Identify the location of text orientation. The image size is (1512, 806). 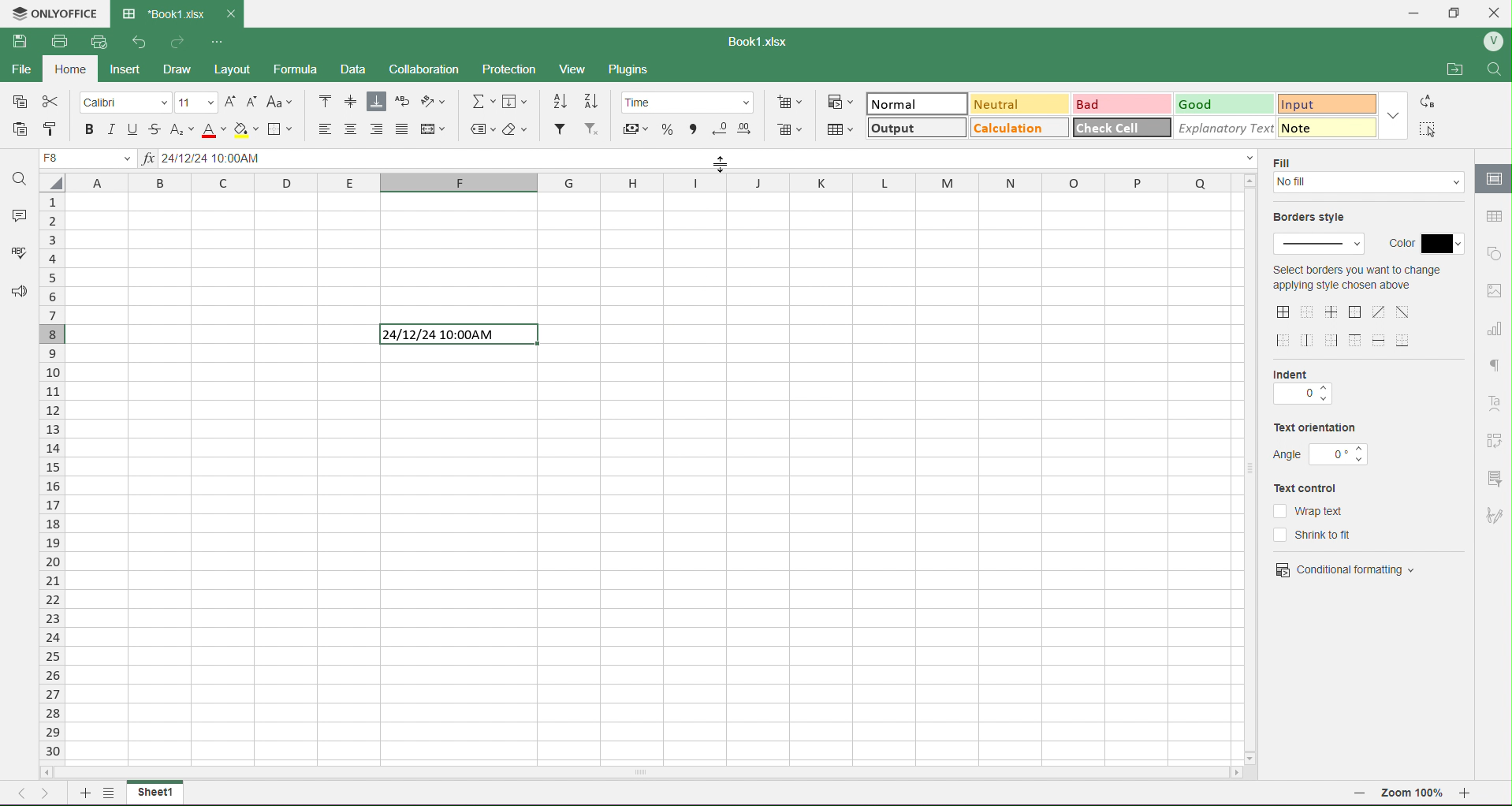
(1316, 429).